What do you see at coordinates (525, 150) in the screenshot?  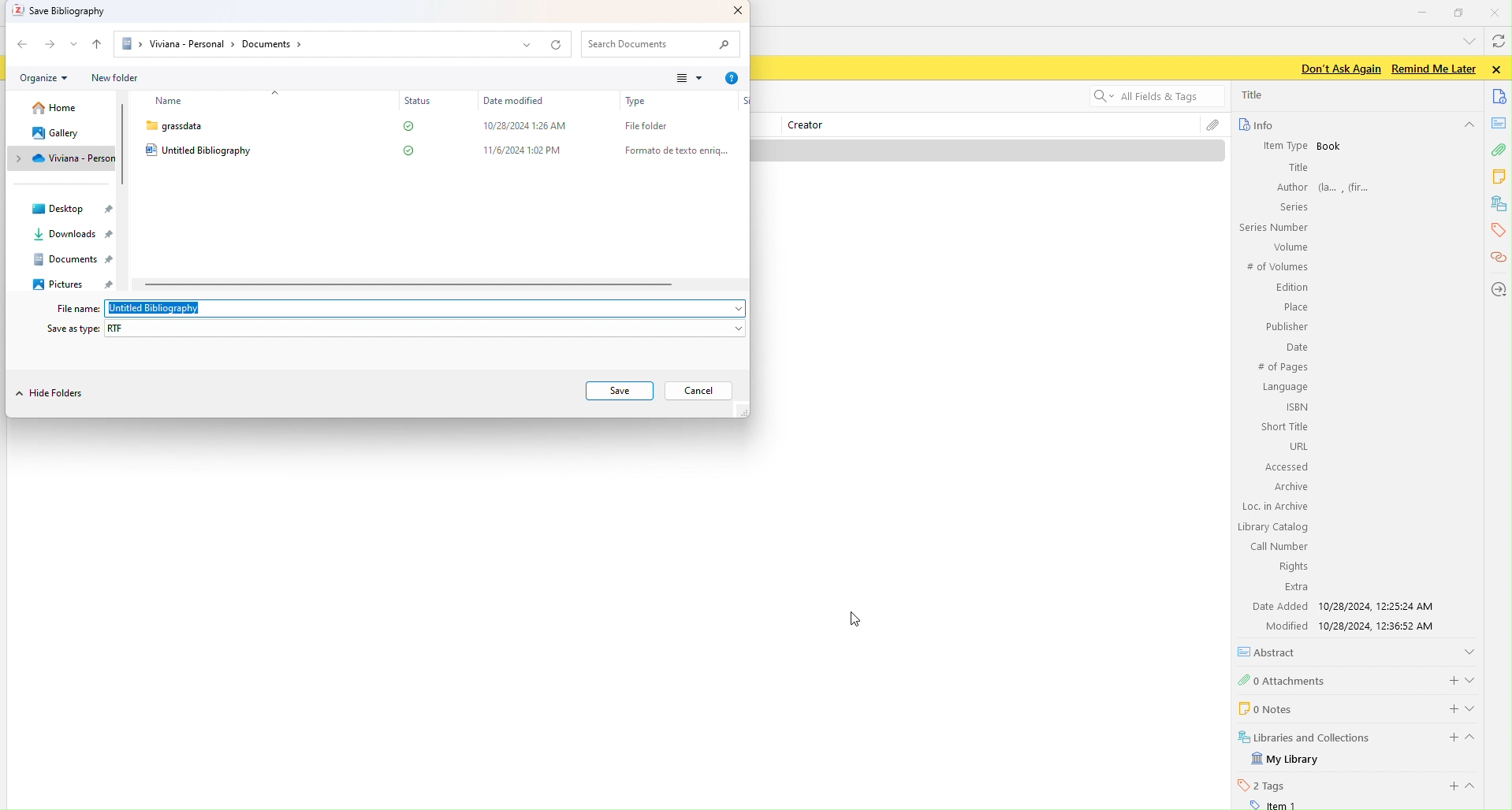 I see `11/6/2024 1:02 PM` at bounding box center [525, 150].